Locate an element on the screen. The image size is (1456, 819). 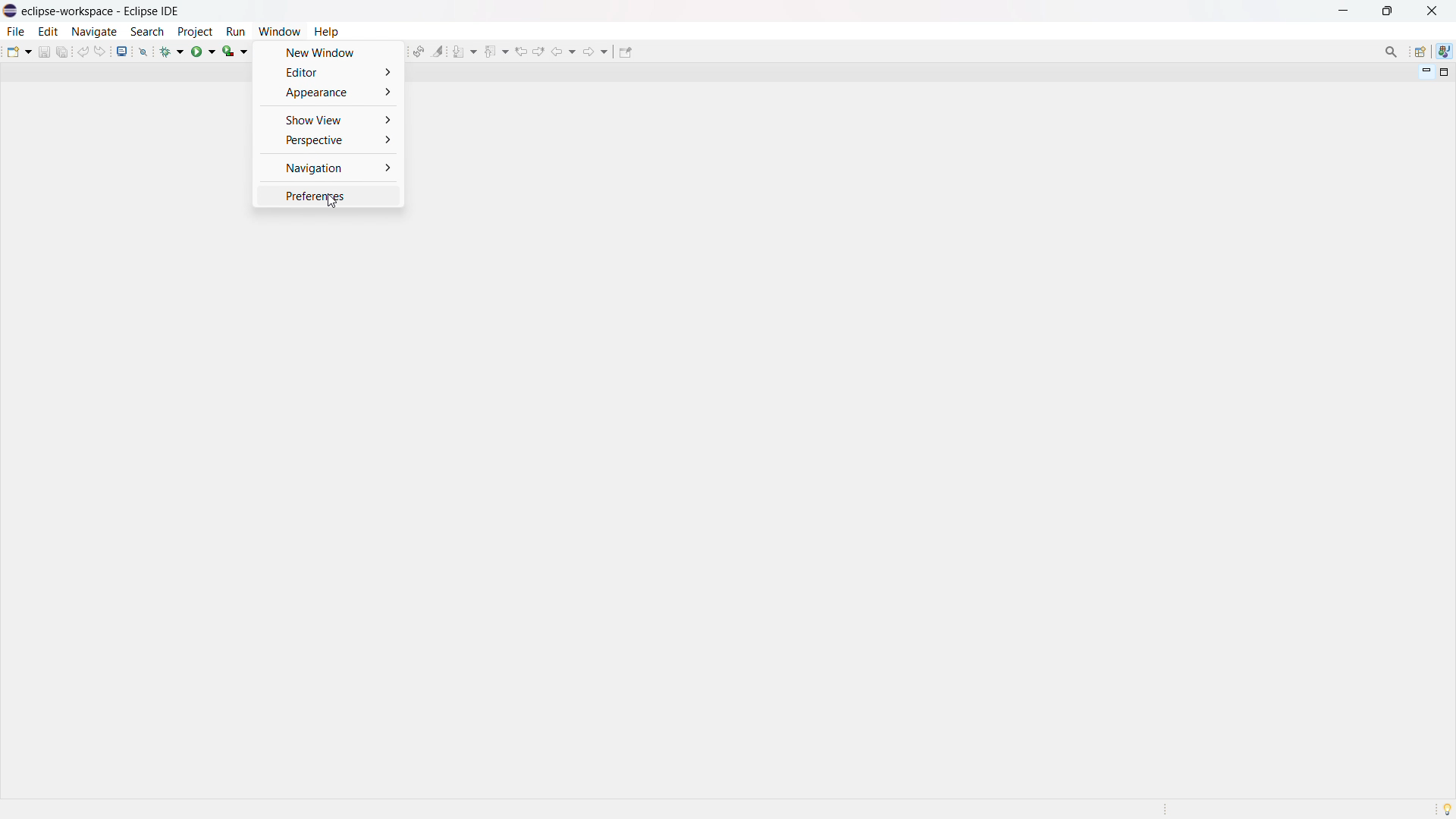
logo is located at coordinates (11, 11).